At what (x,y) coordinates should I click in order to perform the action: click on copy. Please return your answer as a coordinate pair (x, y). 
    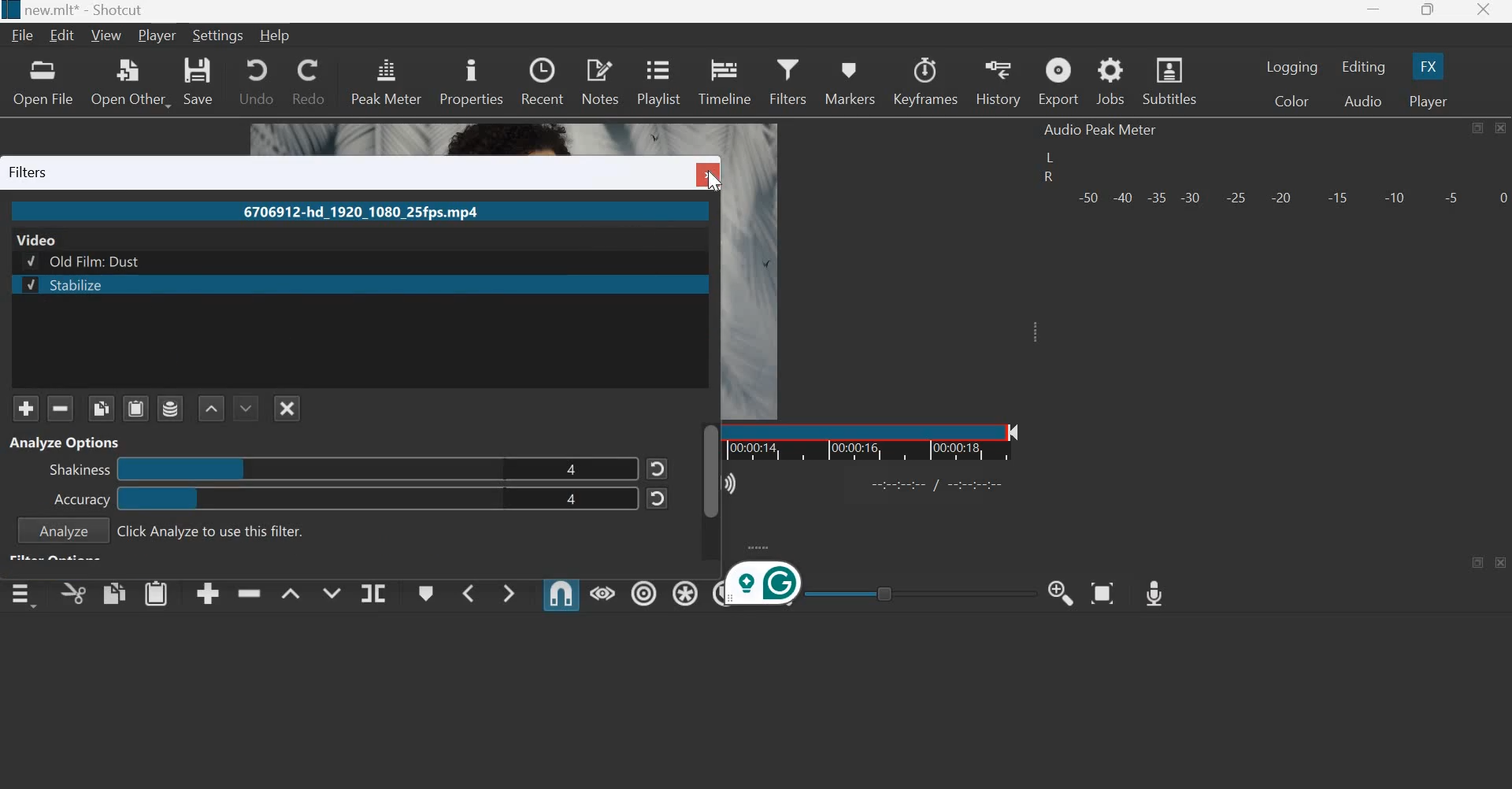
    Looking at the image, I should click on (114, 593).